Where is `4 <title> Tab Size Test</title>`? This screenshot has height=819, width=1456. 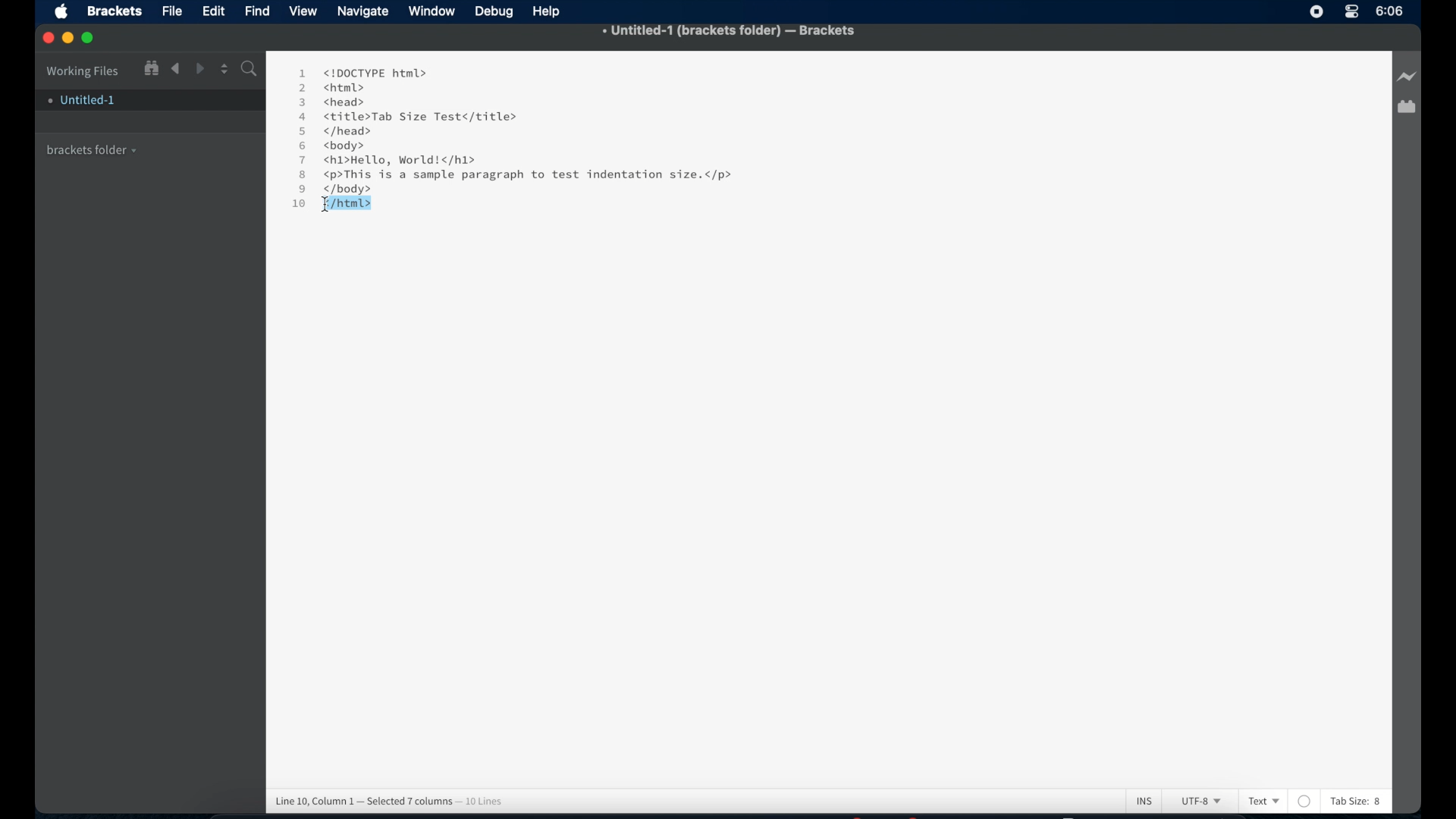 4 <title> Tab Size Test</title> is located at coordinates (406, 117).